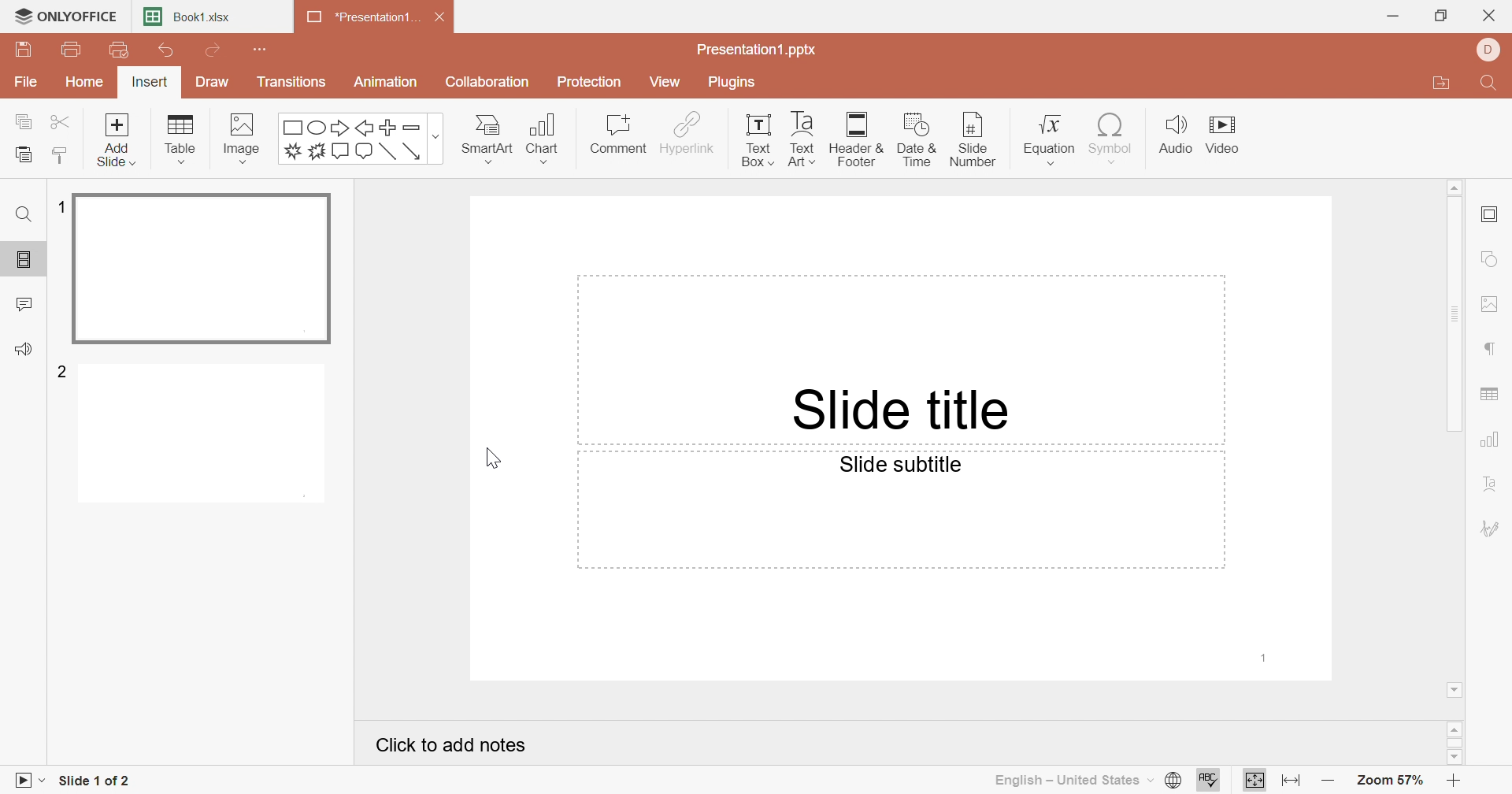 The image size is (1512, 794). I want to click on Comments, so click(25, 305).